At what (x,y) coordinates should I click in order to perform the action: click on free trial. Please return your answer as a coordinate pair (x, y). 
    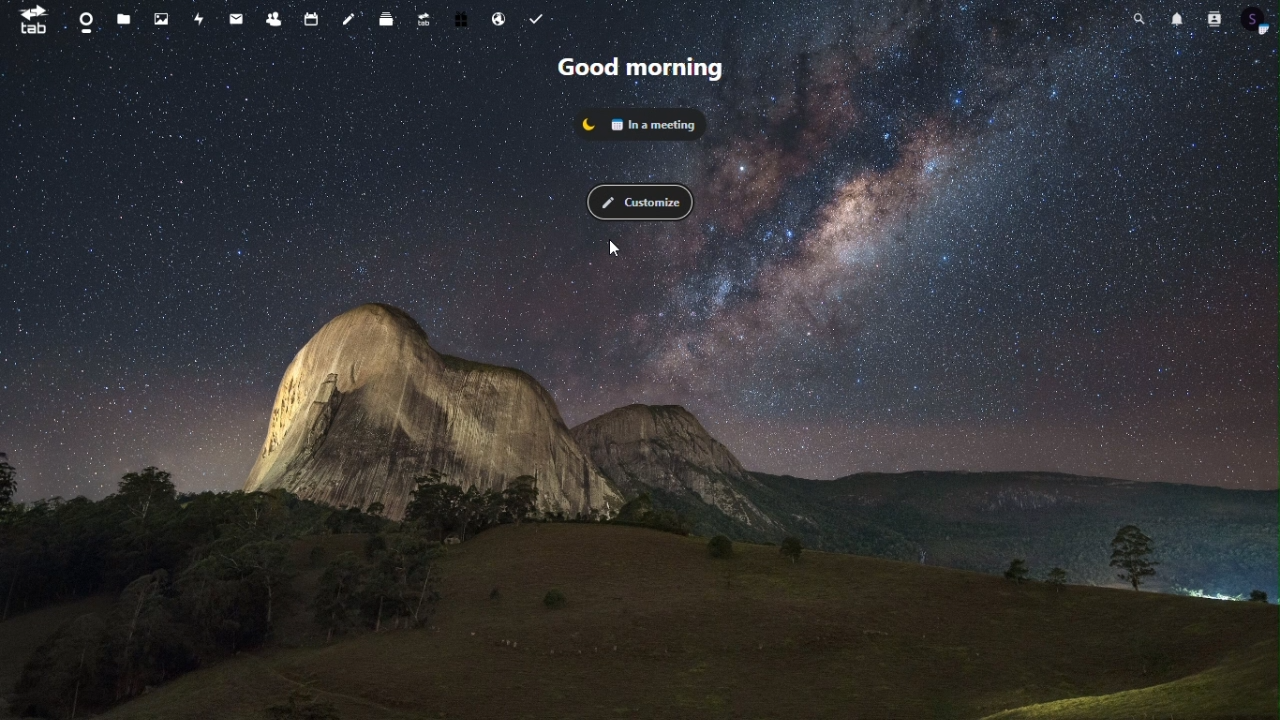
    Looking at the image, I should click on (462, 17).